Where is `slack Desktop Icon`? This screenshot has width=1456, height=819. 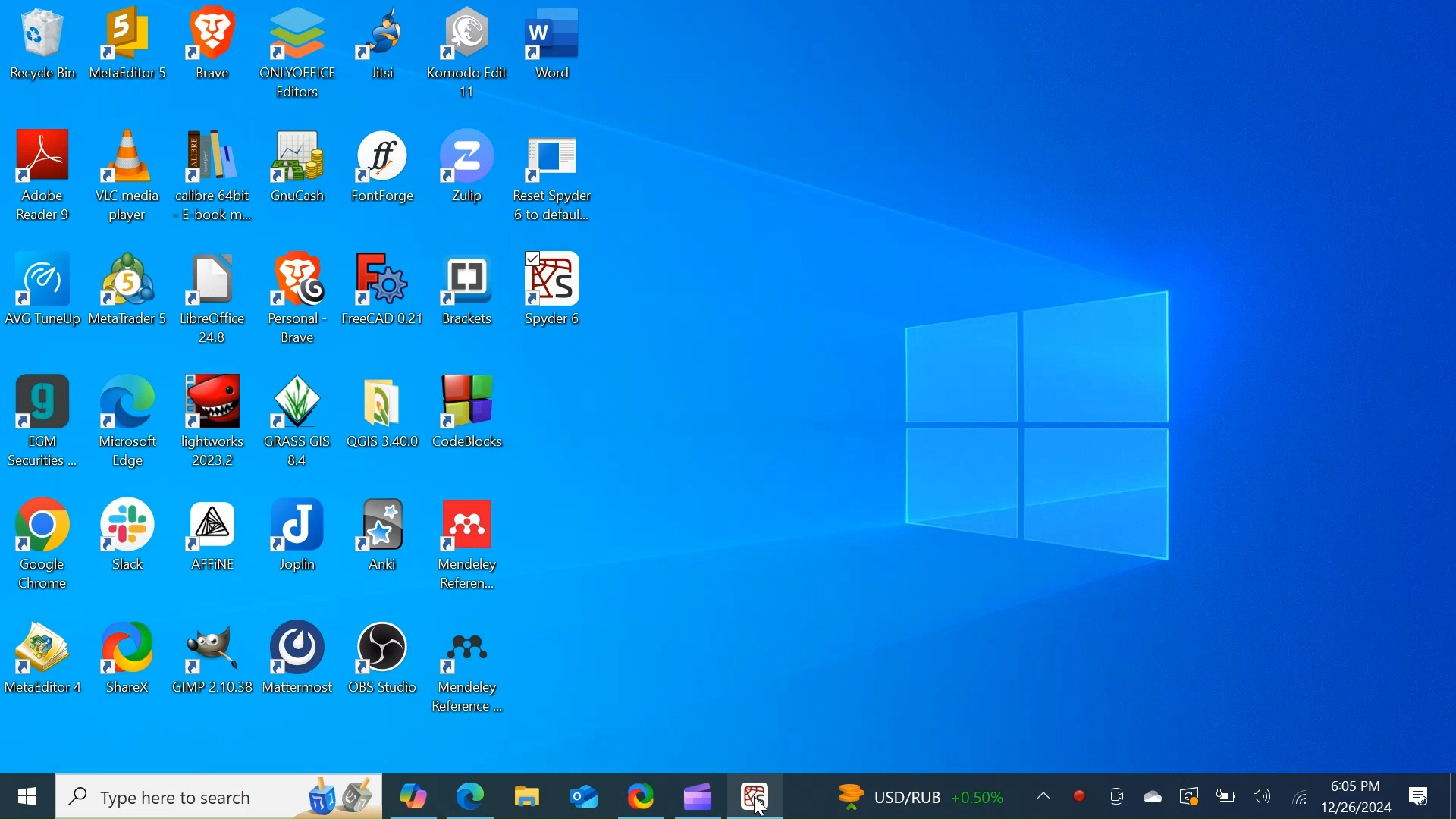
slack Desktop Icon is located at coordinates (127, 544).